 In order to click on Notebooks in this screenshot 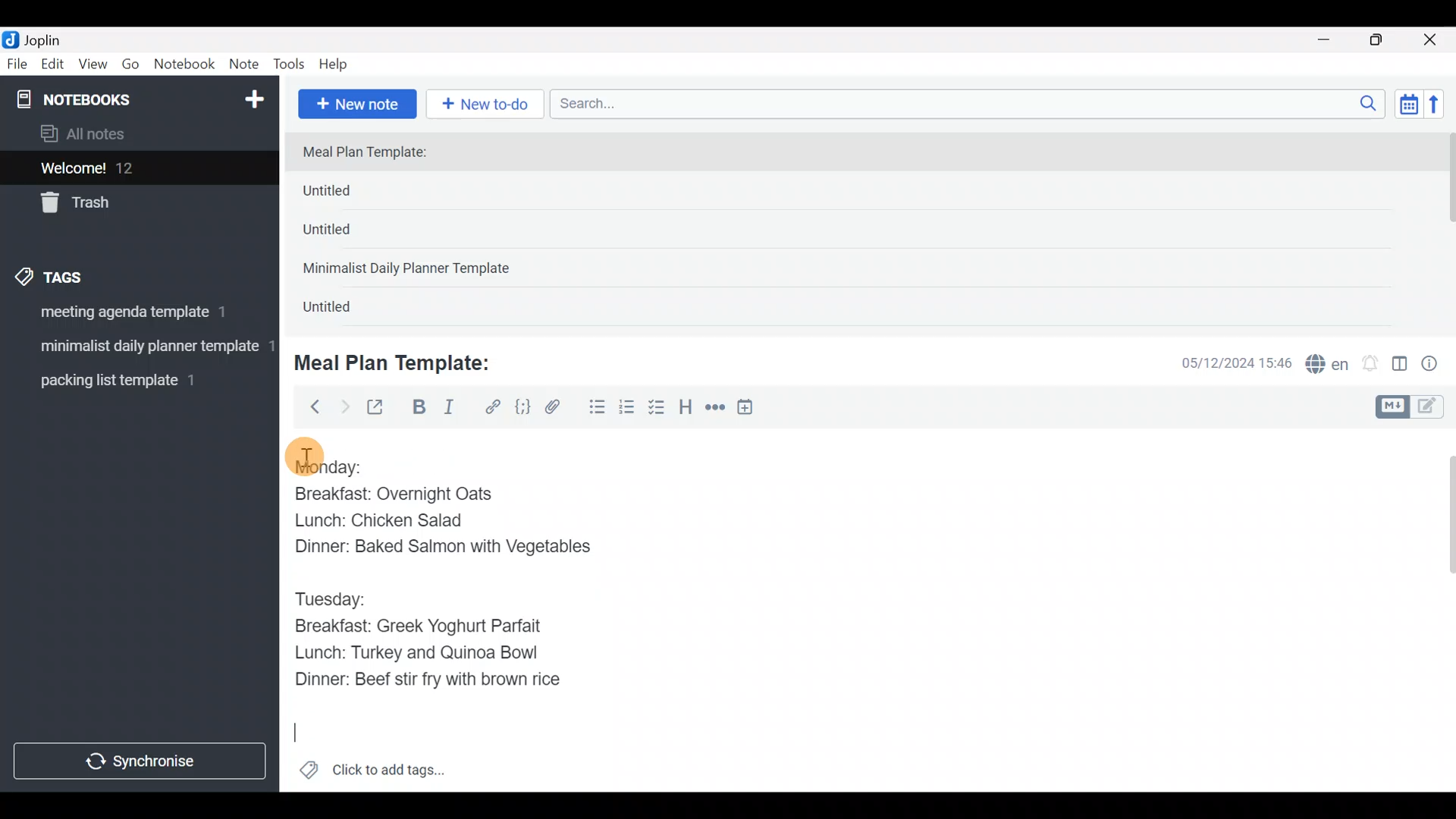, I will do `click(107, 99)`.